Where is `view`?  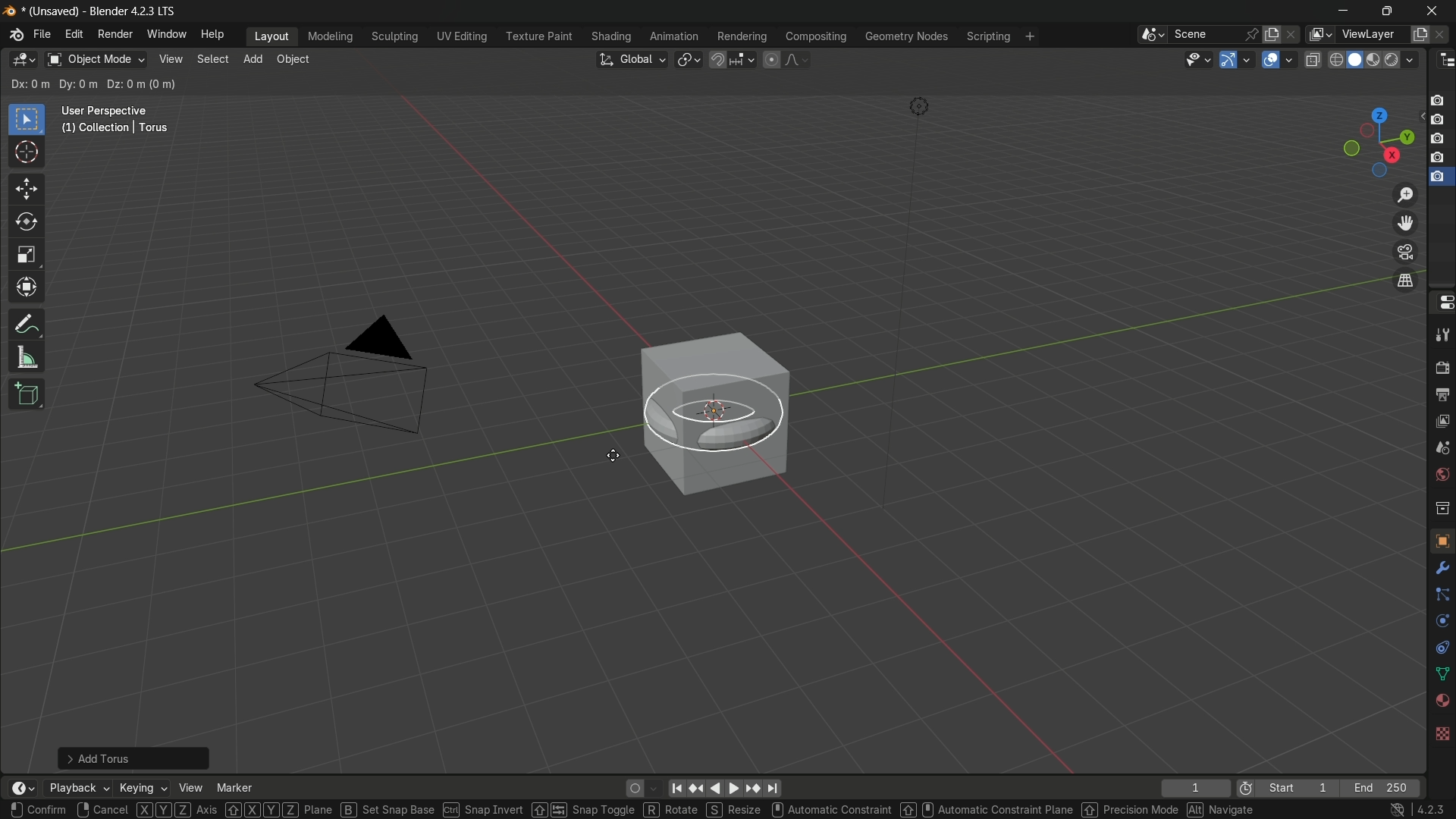 view is located at coordinates (190, 788).